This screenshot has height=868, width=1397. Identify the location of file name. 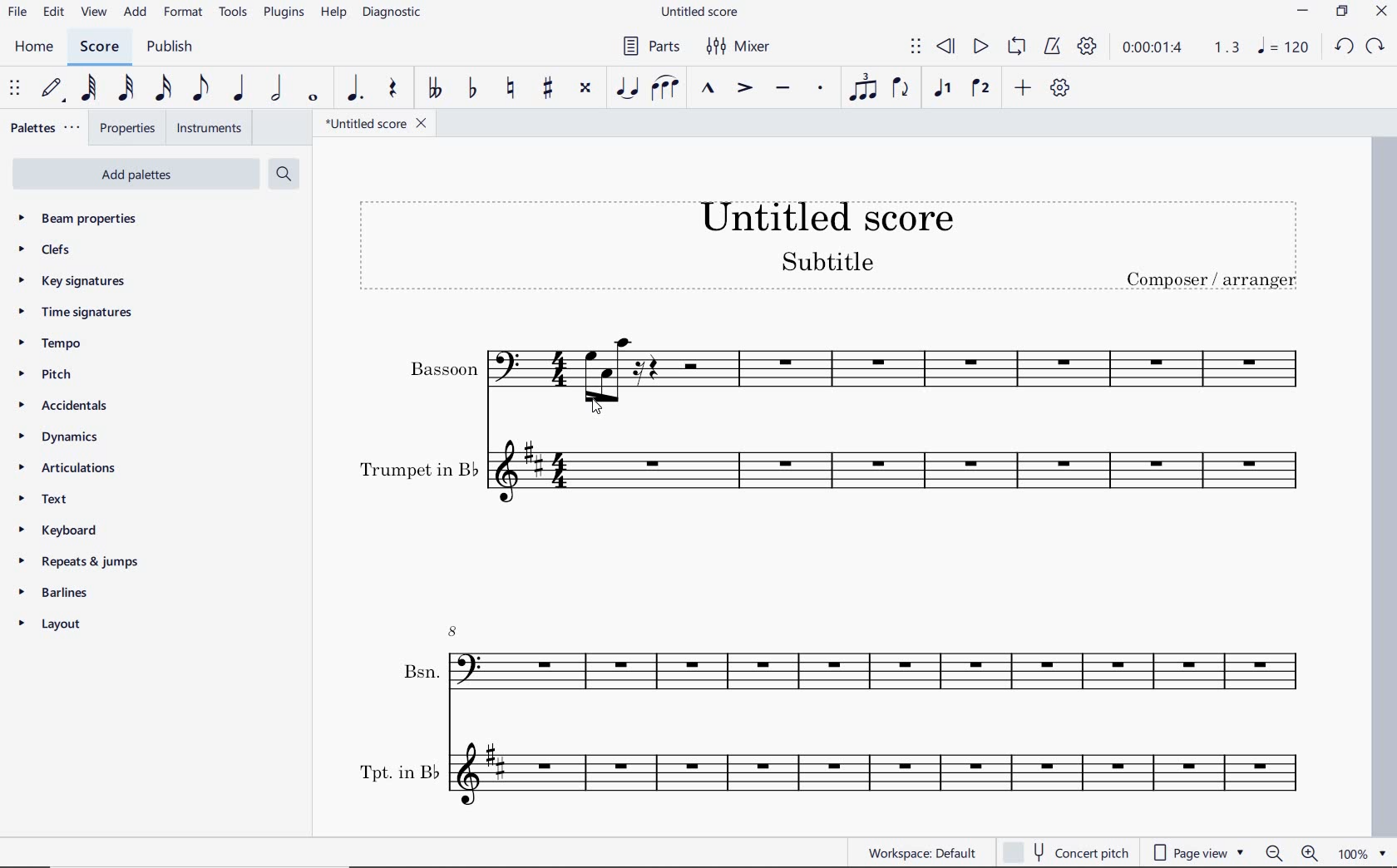
(378, 123).